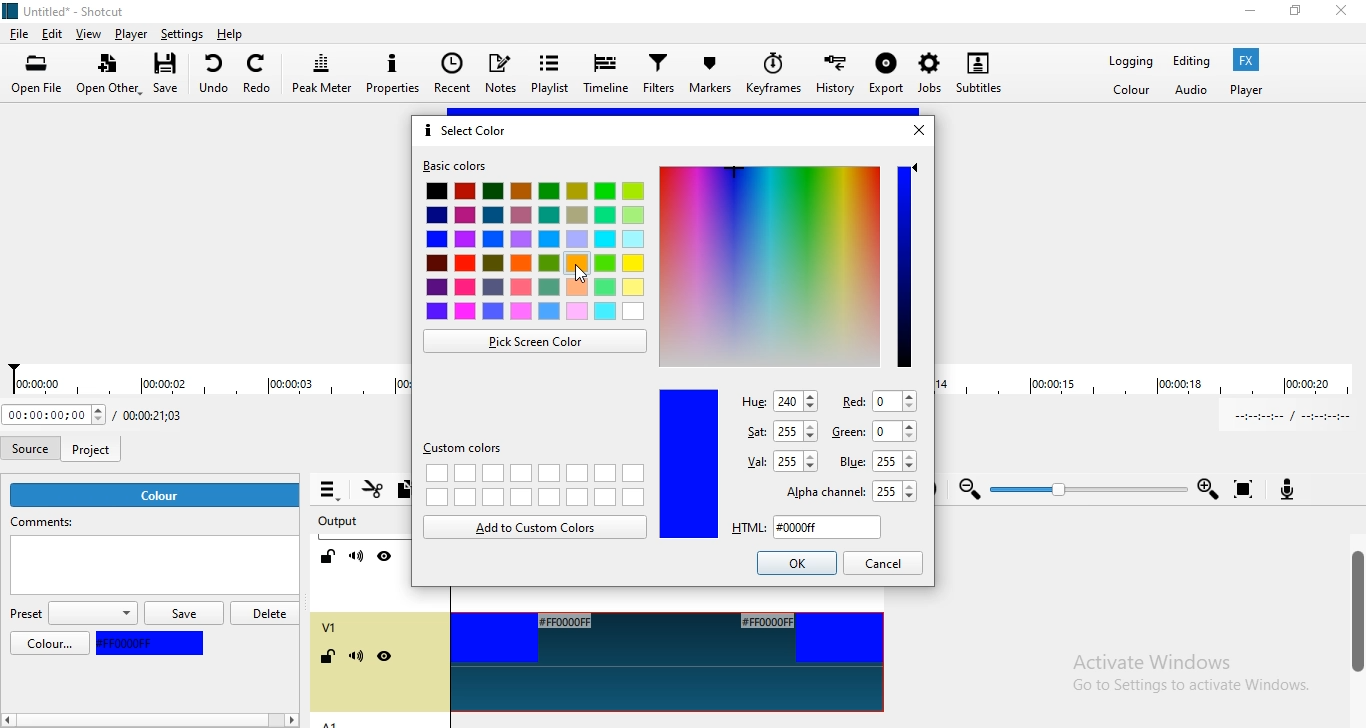 The width and height of the screenshot is (1366, 728). Describe the element at coordinates (267, 612) in the screenshot. I see `delete` at that location.